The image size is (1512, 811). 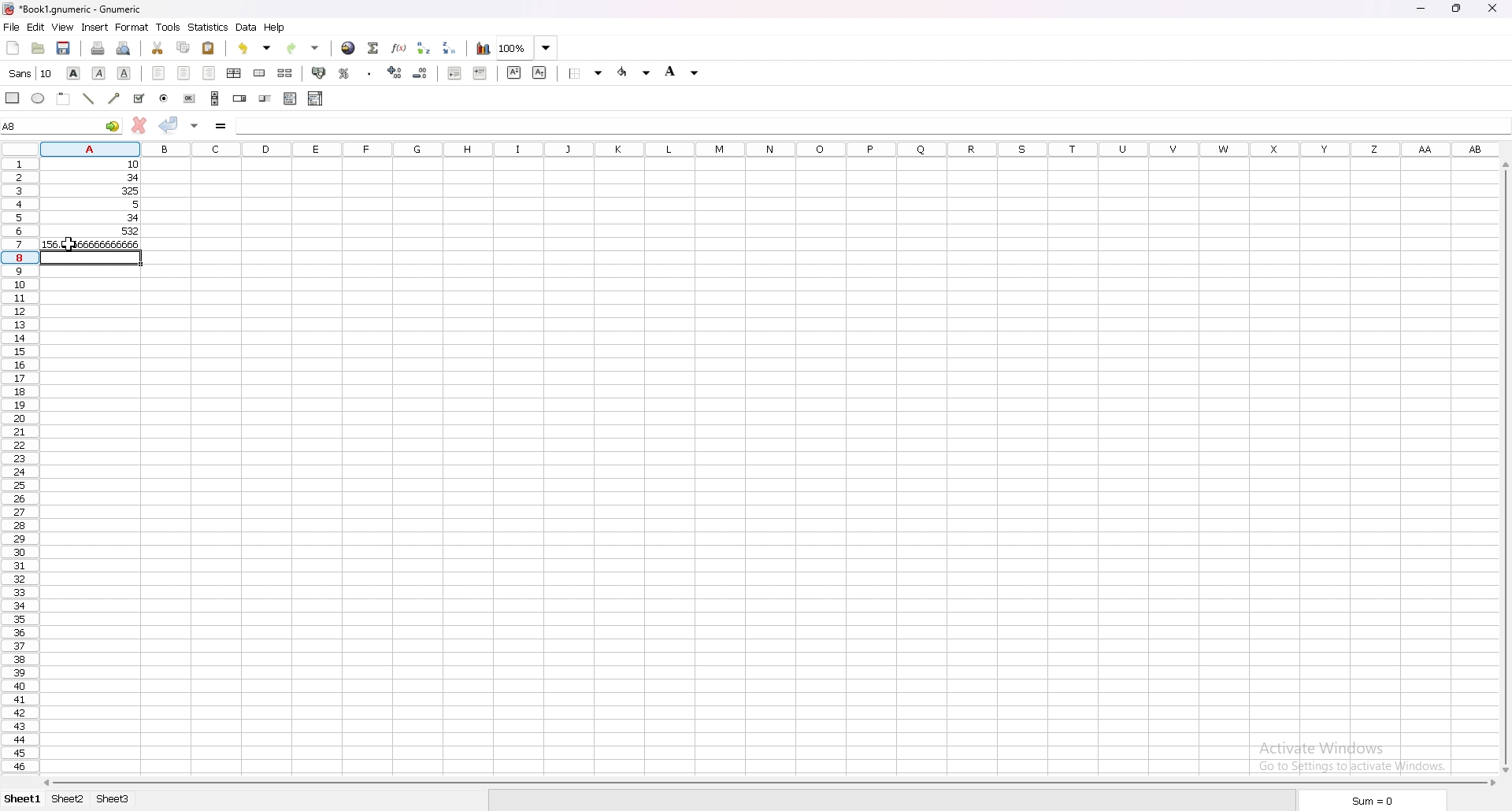 What do you see at coordinates (424, 47) in the screenshot?
I see `sort ascending` at bounding box center [424, 47].